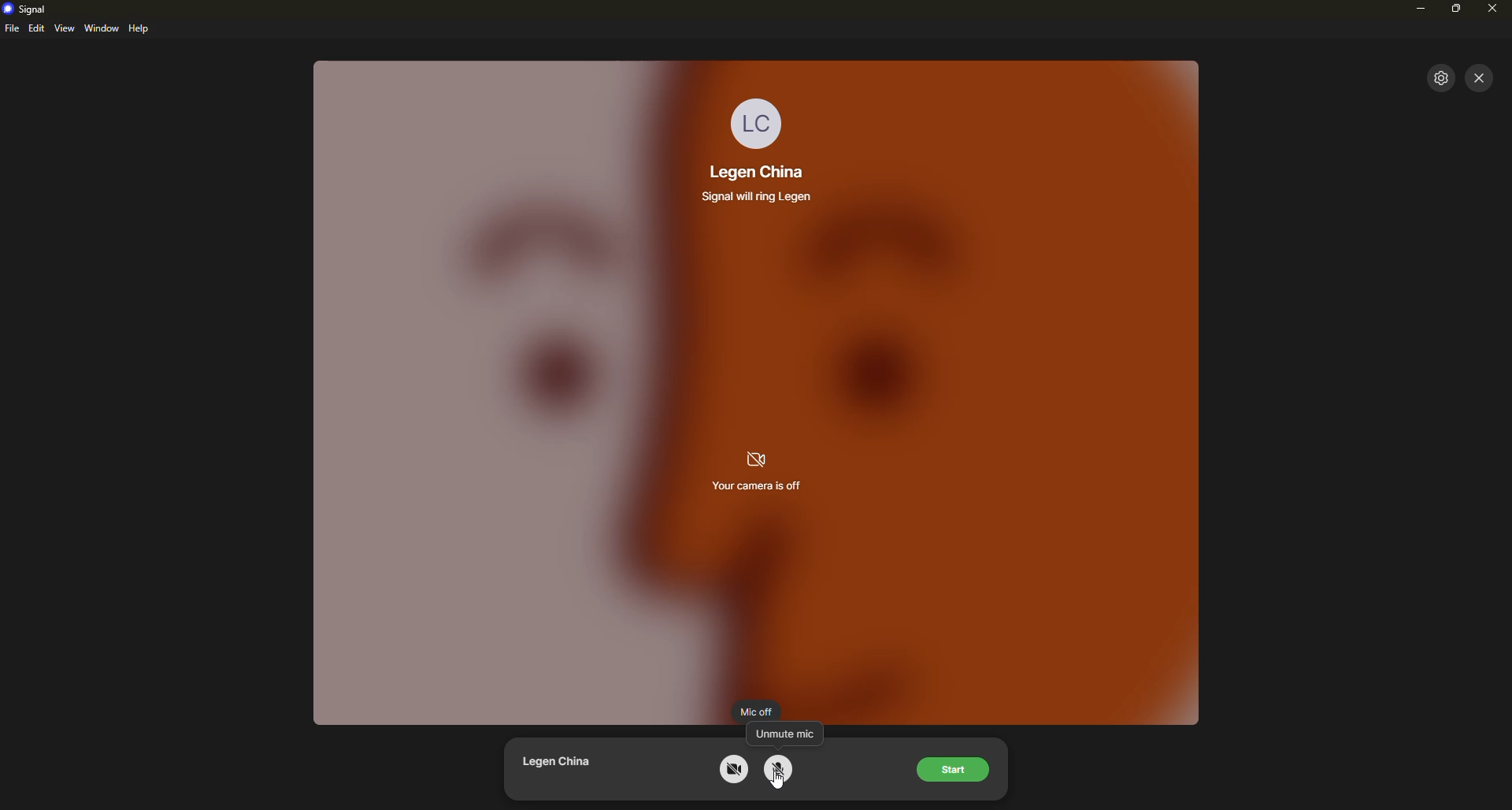  Describe the element at coordinates (102, 28) in the screenshot. I see `window` at that location.